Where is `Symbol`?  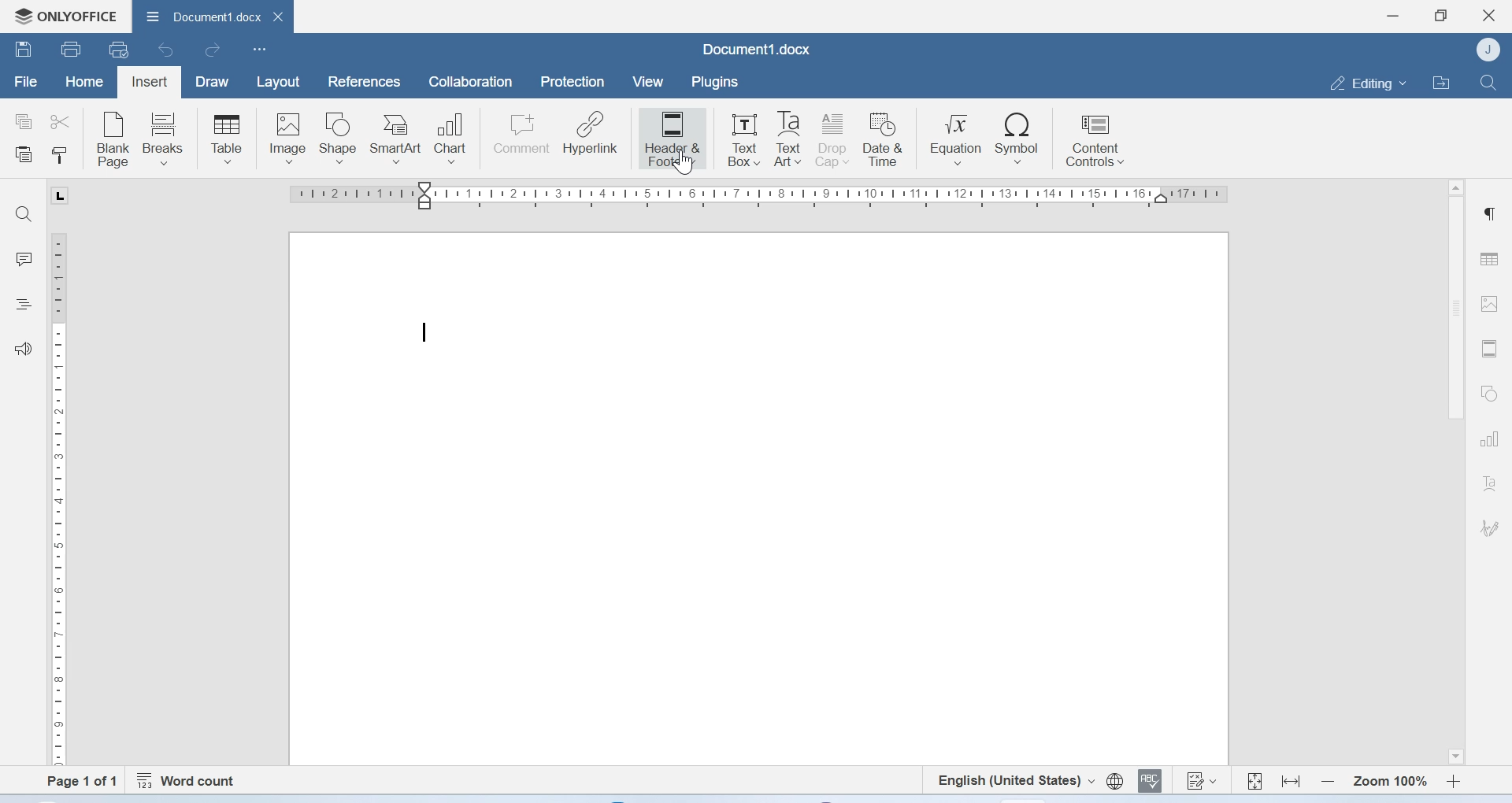
Symbol is located at coordinates (1017, 139).